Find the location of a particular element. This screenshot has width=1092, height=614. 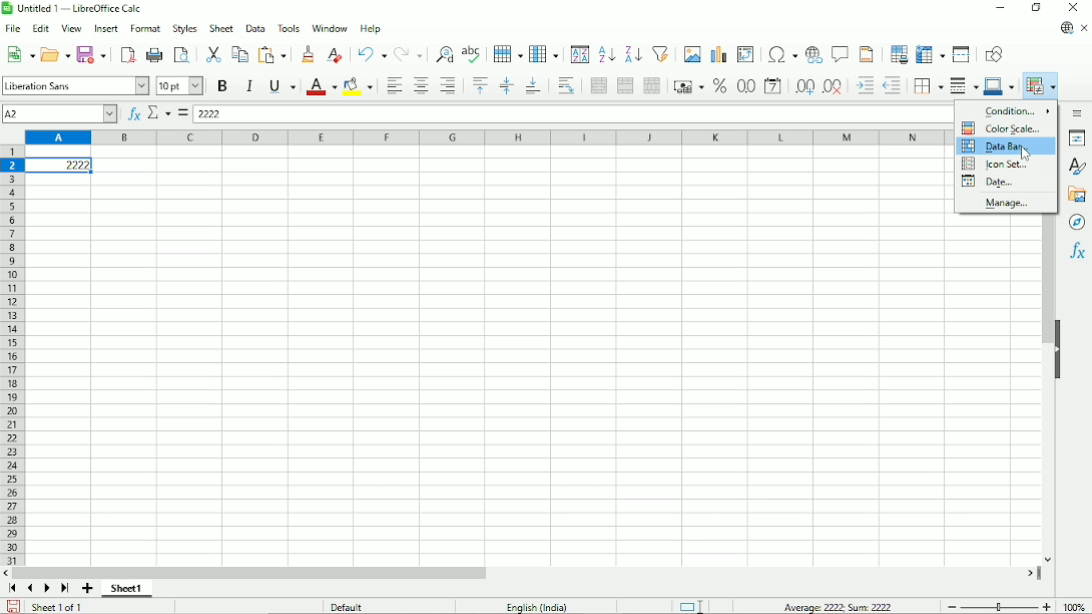

Border style is located at coordinates (963, 87).